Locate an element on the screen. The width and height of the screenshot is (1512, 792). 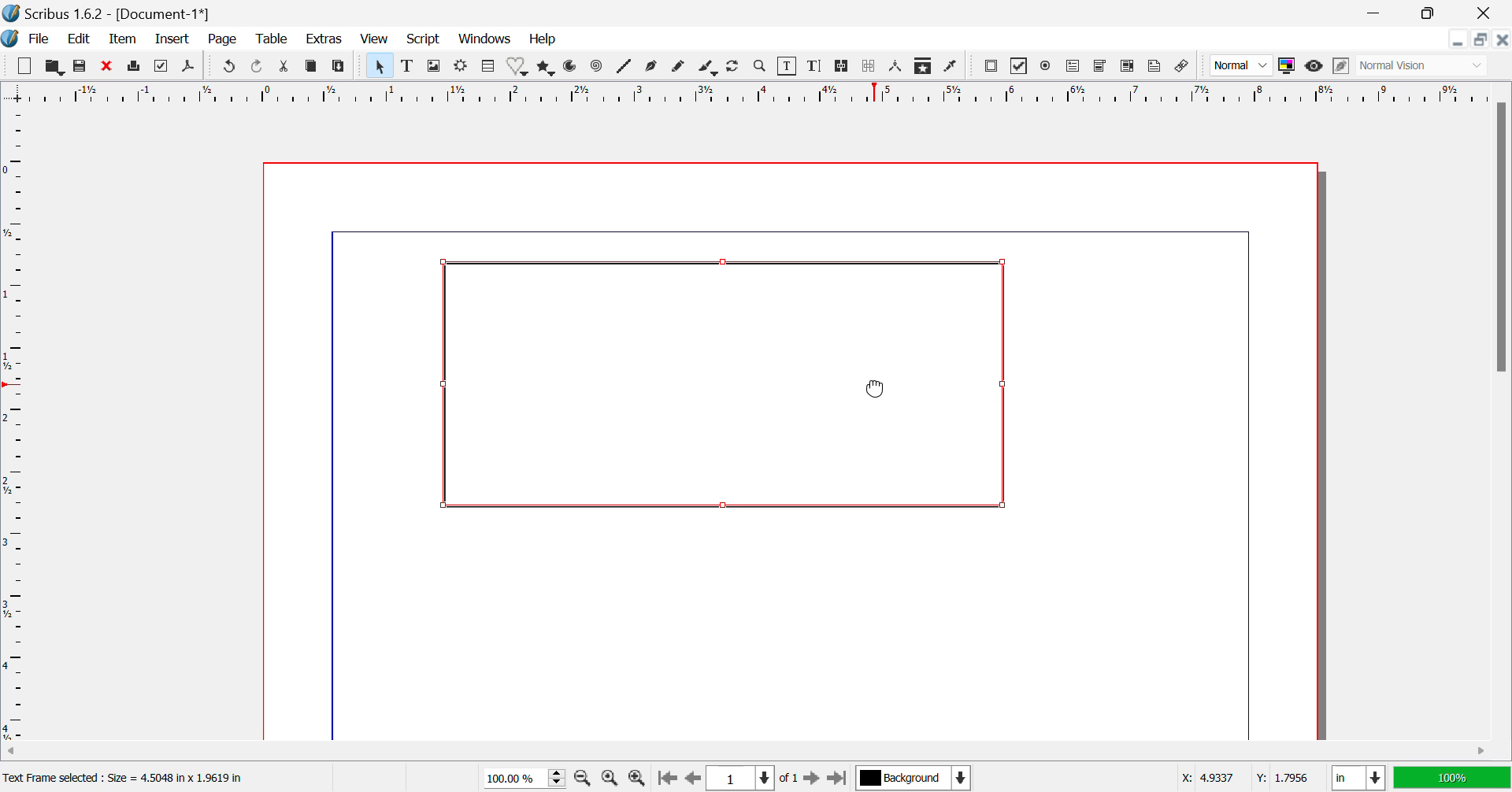
Polygons is located at coordinates (545, 69).